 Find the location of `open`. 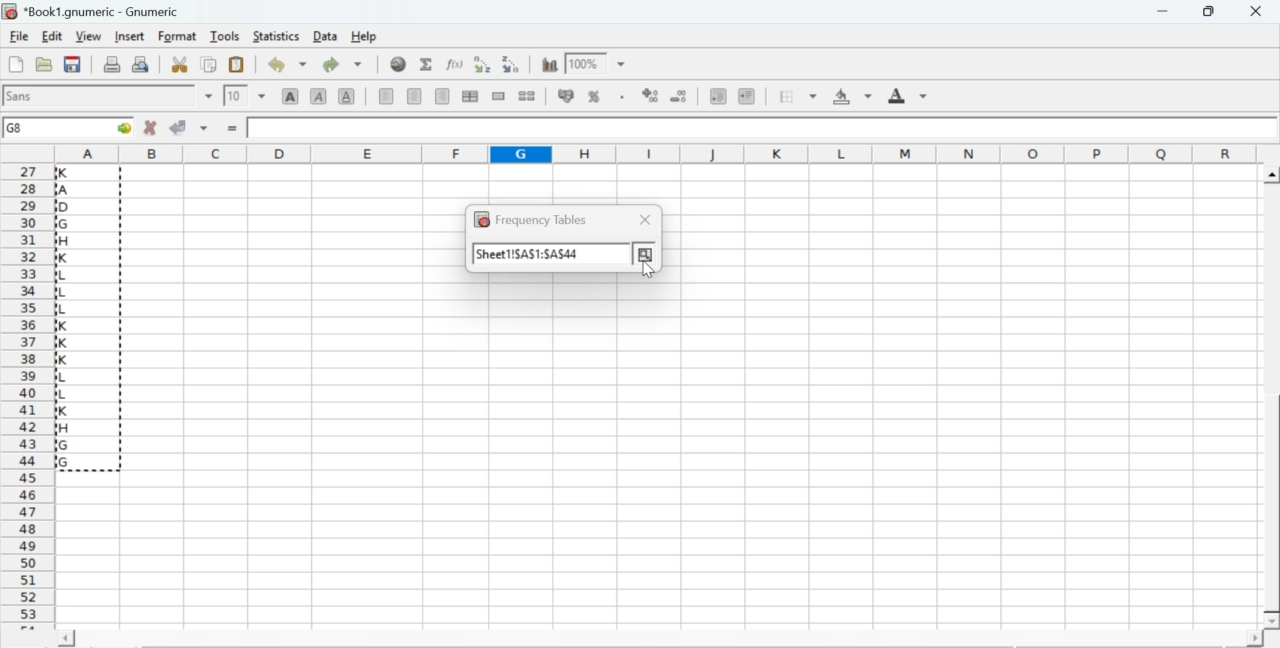

open is located at coordinates (42, 64).